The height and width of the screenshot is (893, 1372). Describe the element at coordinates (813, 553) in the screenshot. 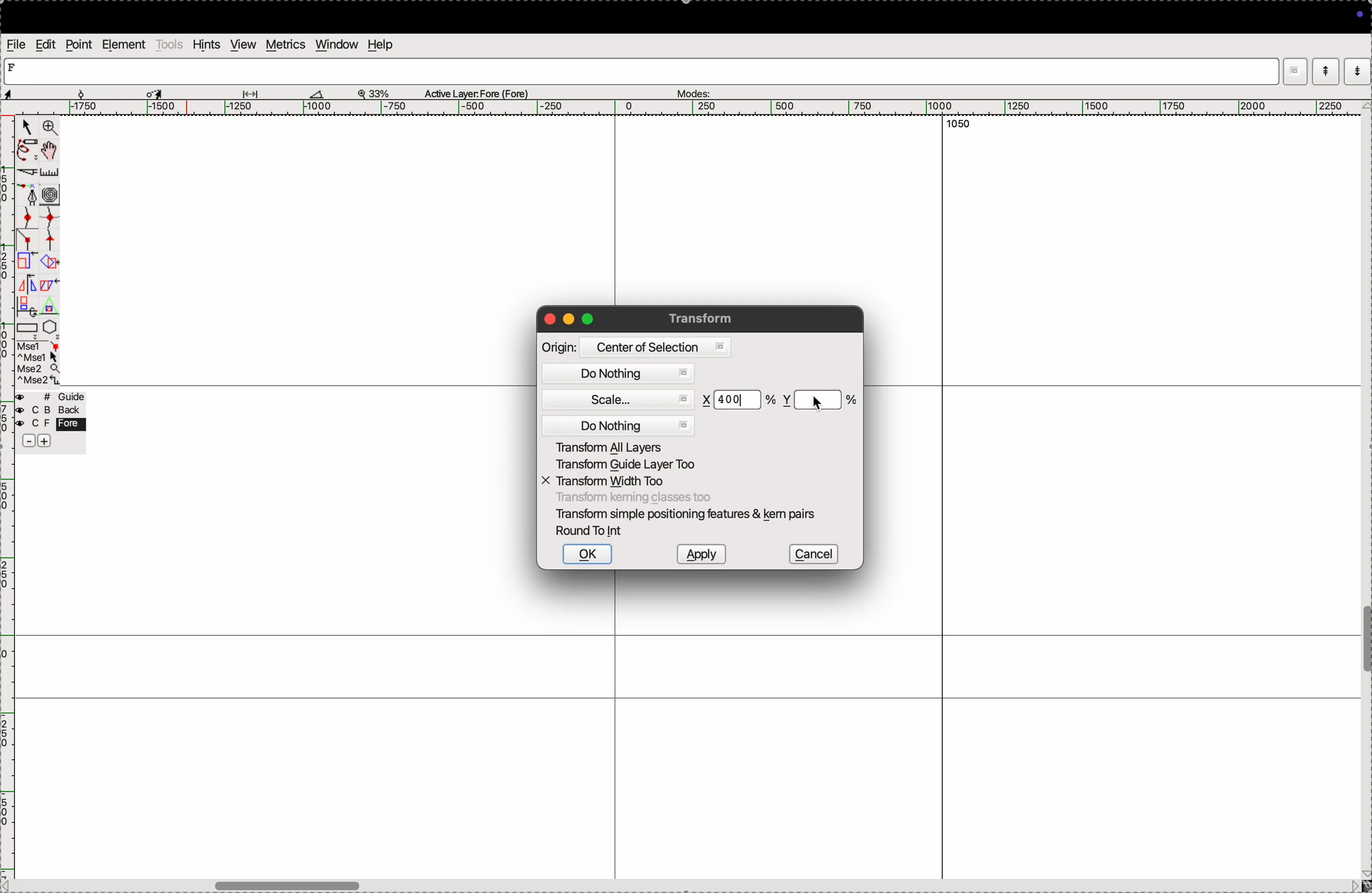

I see `cancel` at that location.